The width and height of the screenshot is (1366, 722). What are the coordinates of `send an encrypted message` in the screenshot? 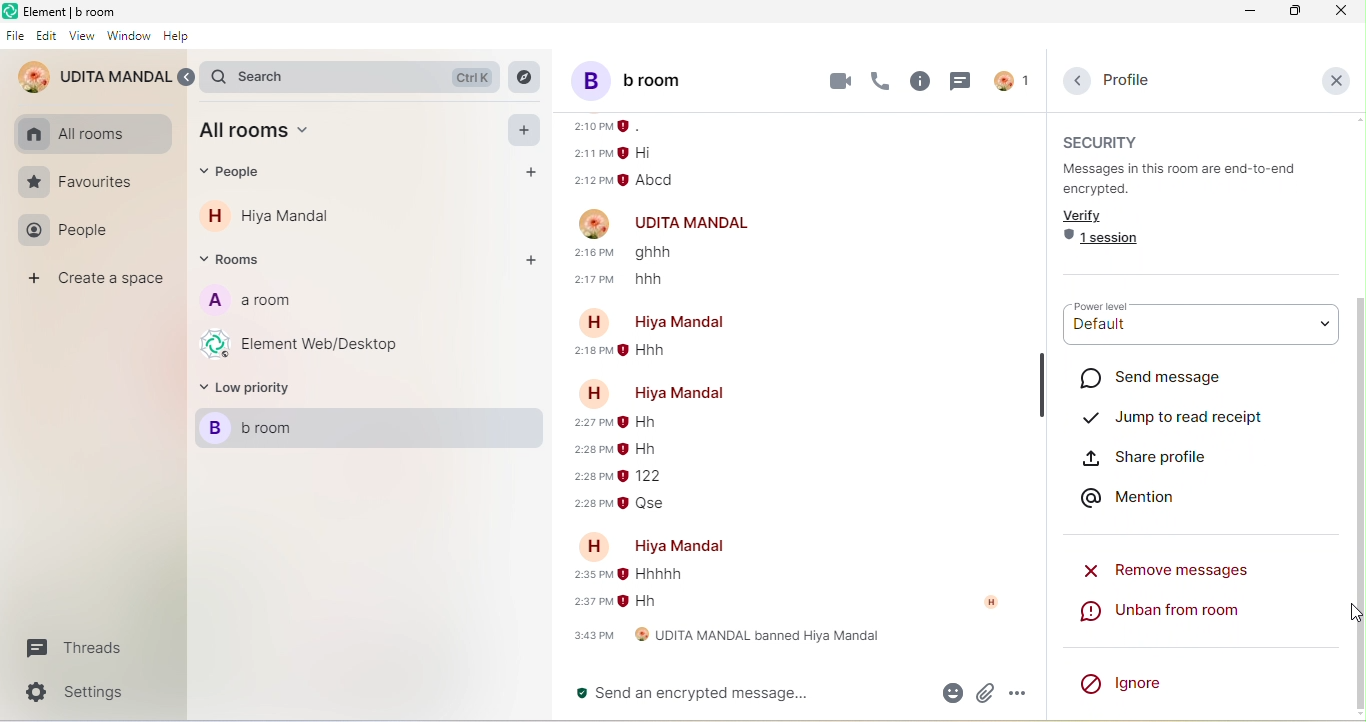 It's located at (744, 694).